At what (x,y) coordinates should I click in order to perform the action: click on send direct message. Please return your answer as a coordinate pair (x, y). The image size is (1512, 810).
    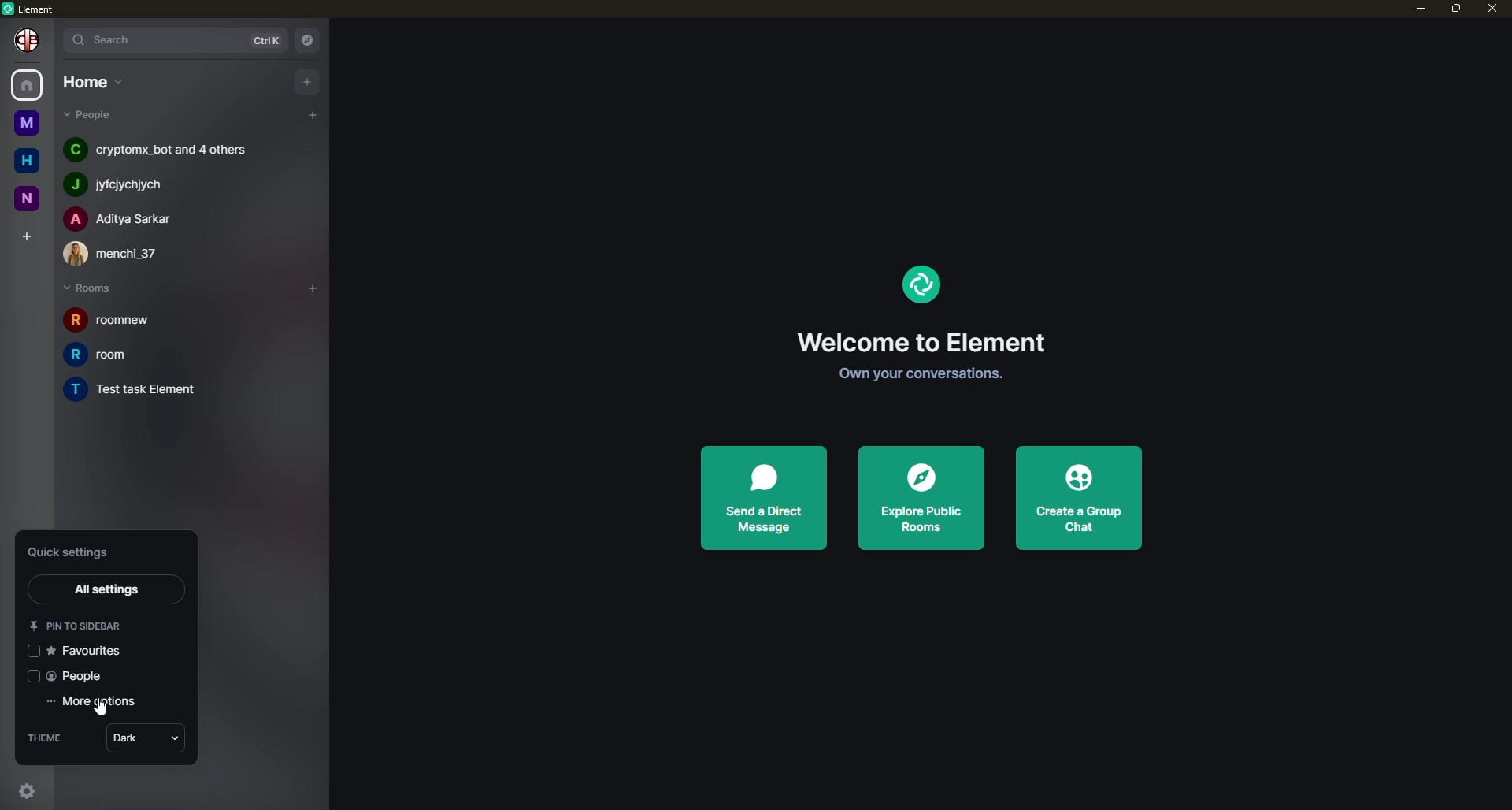
    Looking at the image, I should click on (763, 496).